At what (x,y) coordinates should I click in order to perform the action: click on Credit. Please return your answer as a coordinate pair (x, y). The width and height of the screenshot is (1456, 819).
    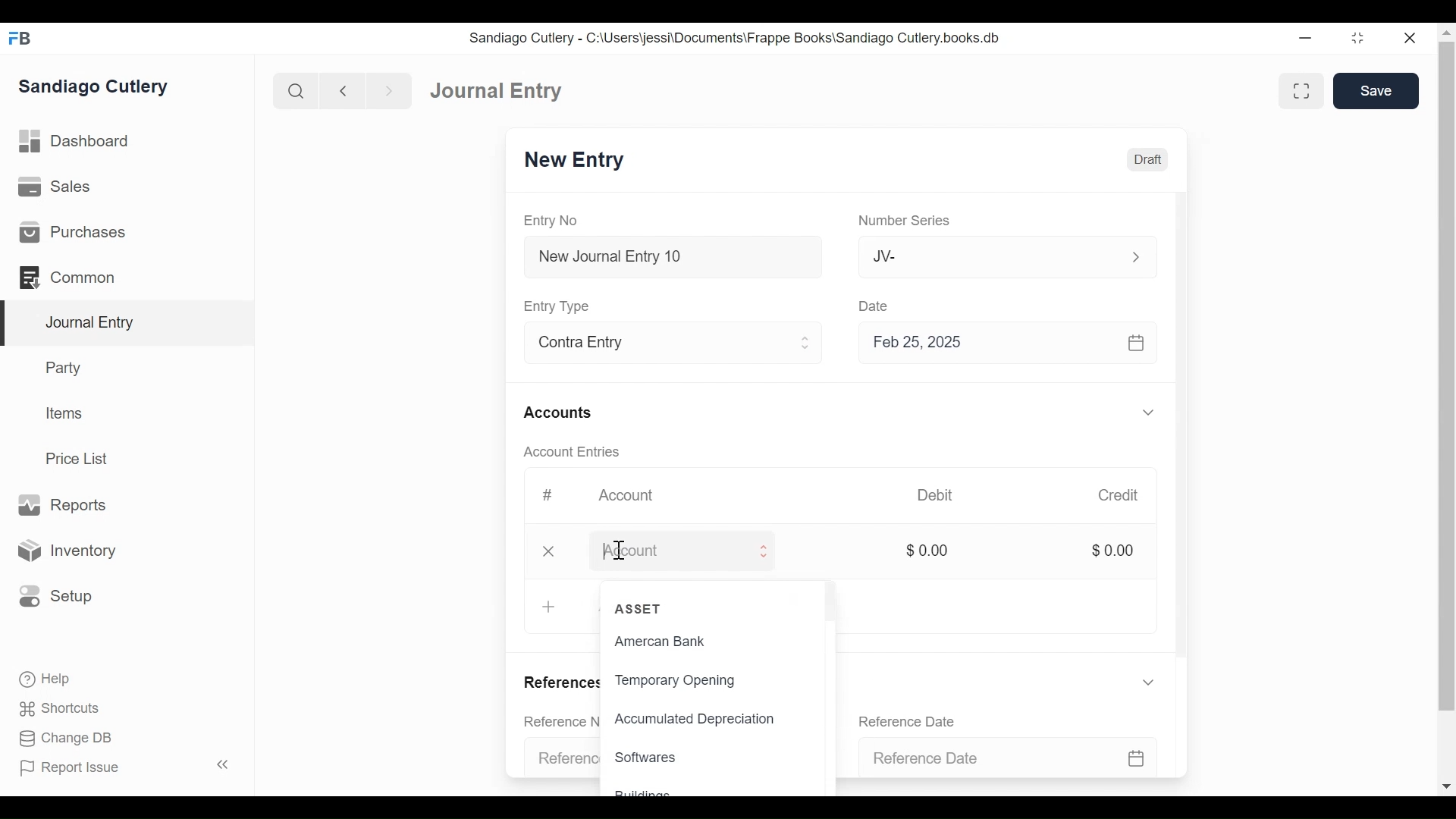
    Looking at the image, I should click on (1120, 496).